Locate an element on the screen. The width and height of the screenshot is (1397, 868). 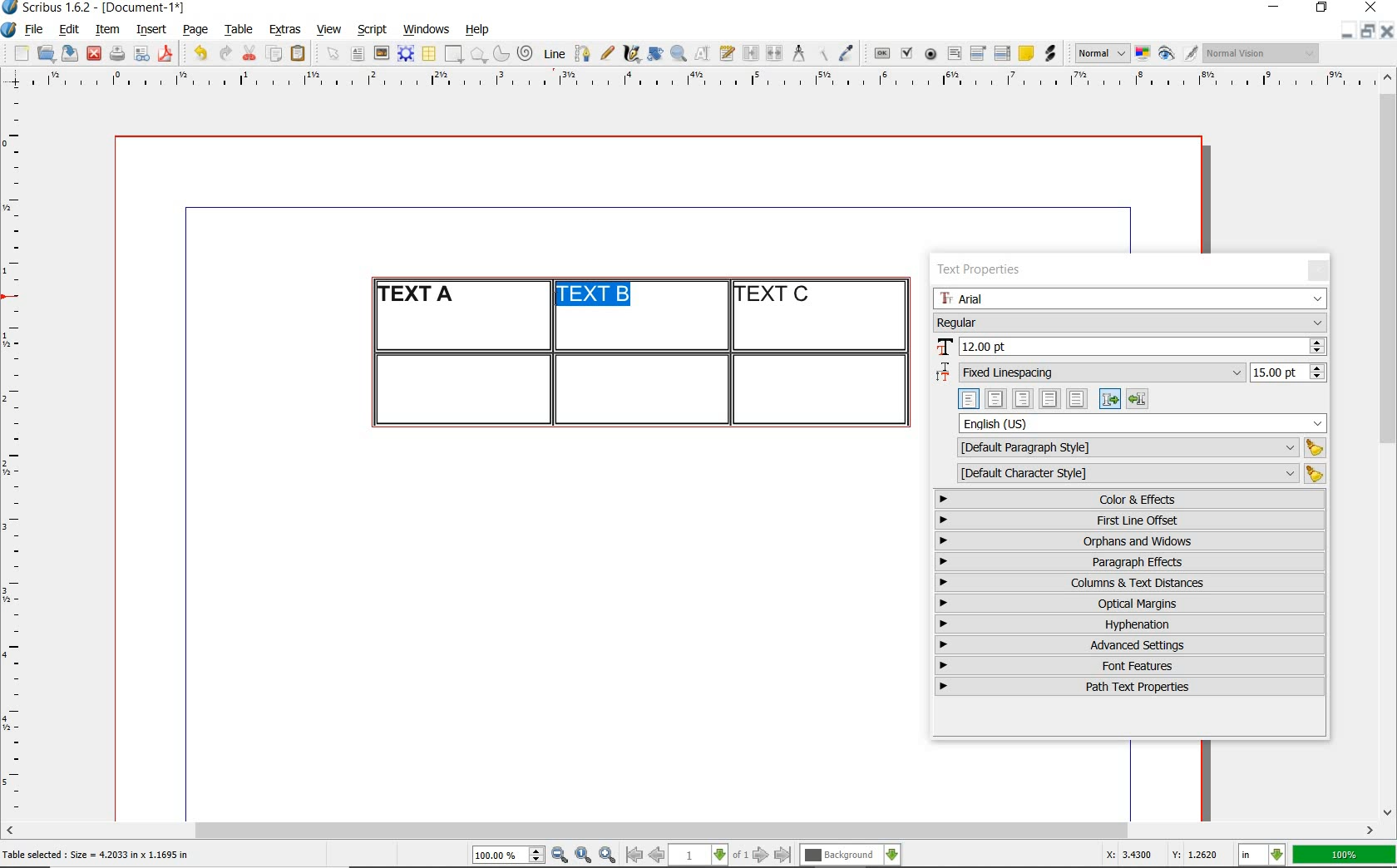
render frame is located at coordinates (406, 54).